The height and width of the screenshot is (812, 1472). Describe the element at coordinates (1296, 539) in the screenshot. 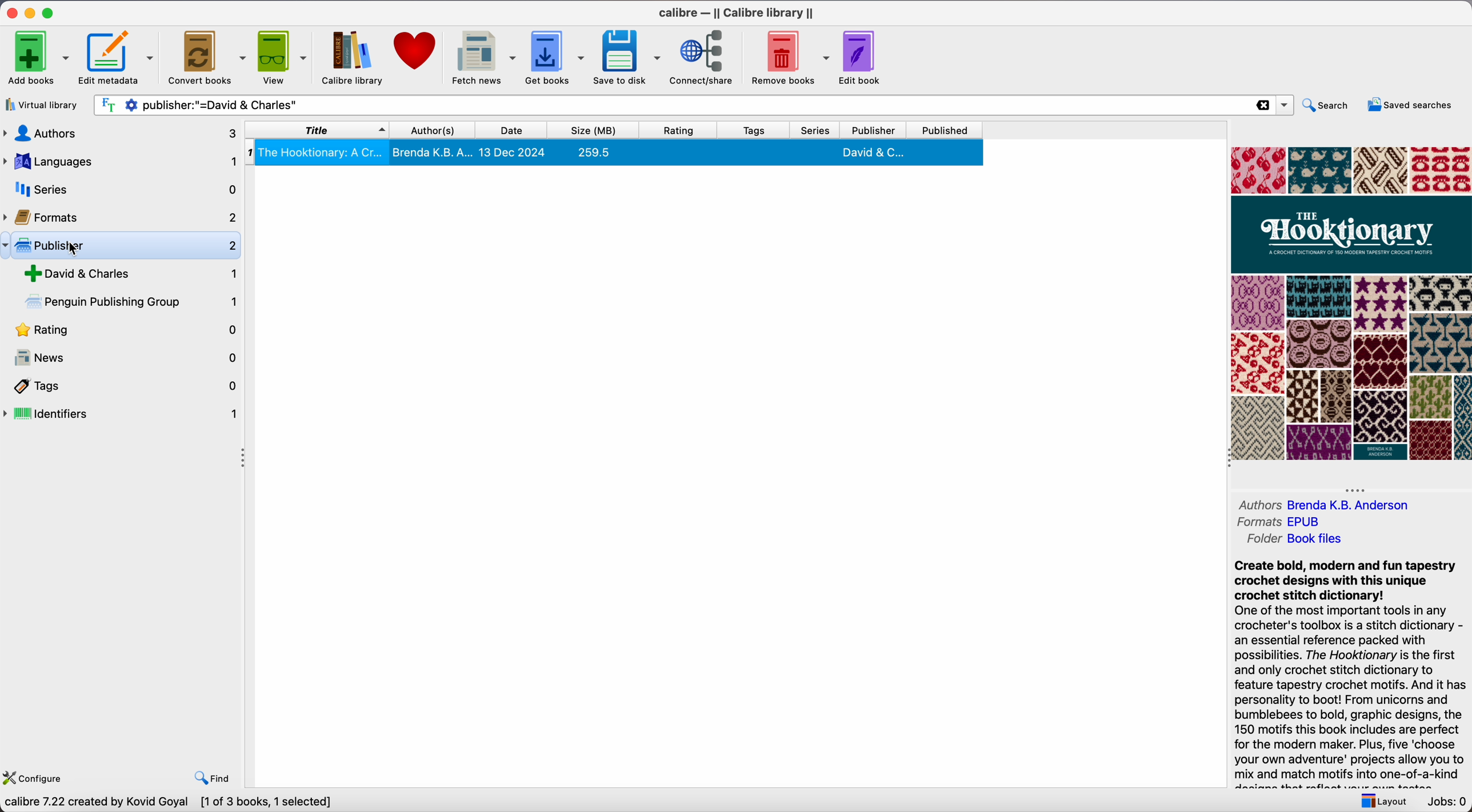

I see `folder Book files` at that location.